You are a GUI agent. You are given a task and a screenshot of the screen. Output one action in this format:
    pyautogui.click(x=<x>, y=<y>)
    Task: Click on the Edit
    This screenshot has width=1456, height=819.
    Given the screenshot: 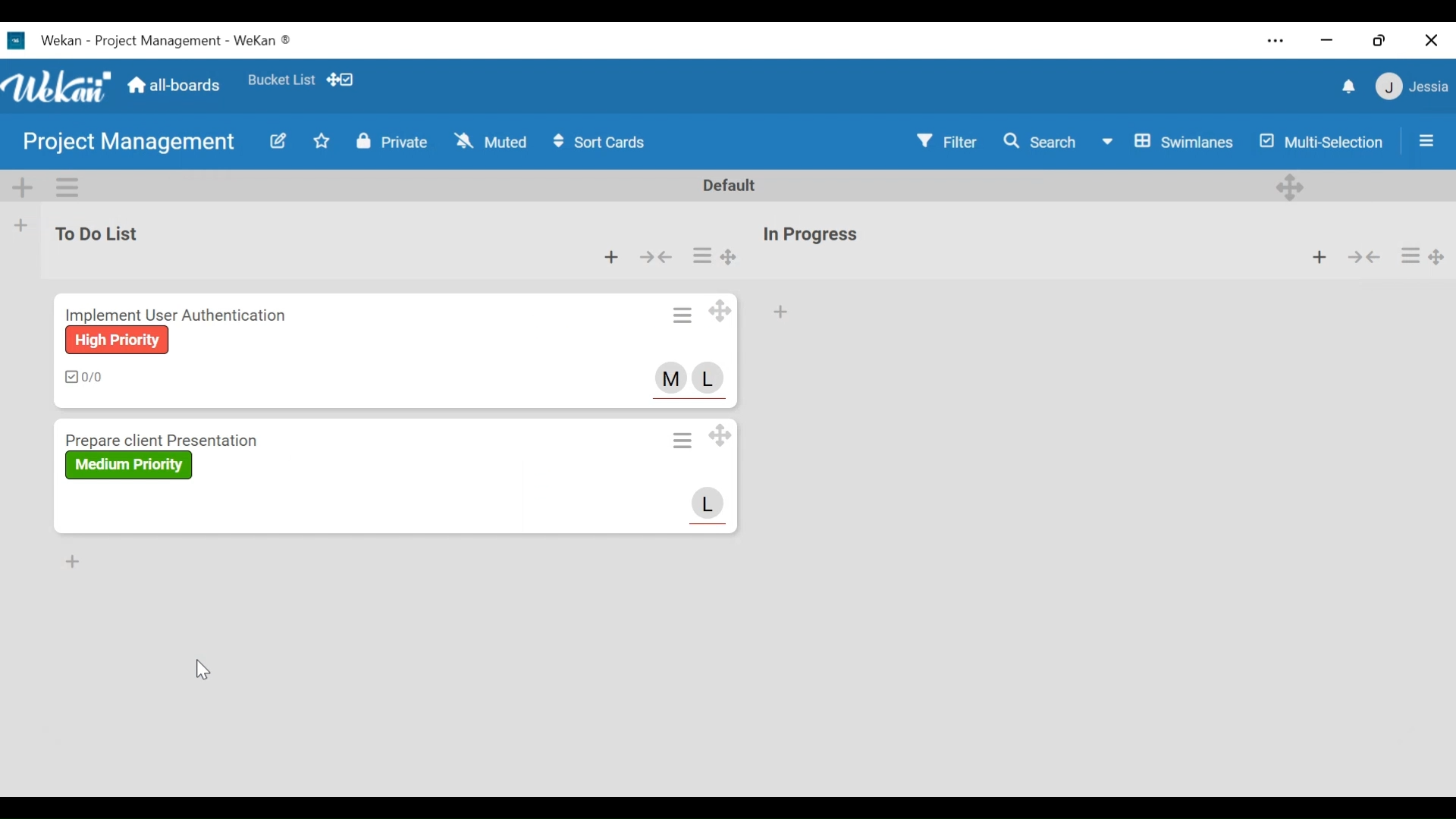 What is the action you would take?
    pyautogui.click(x=276, y=143)
    